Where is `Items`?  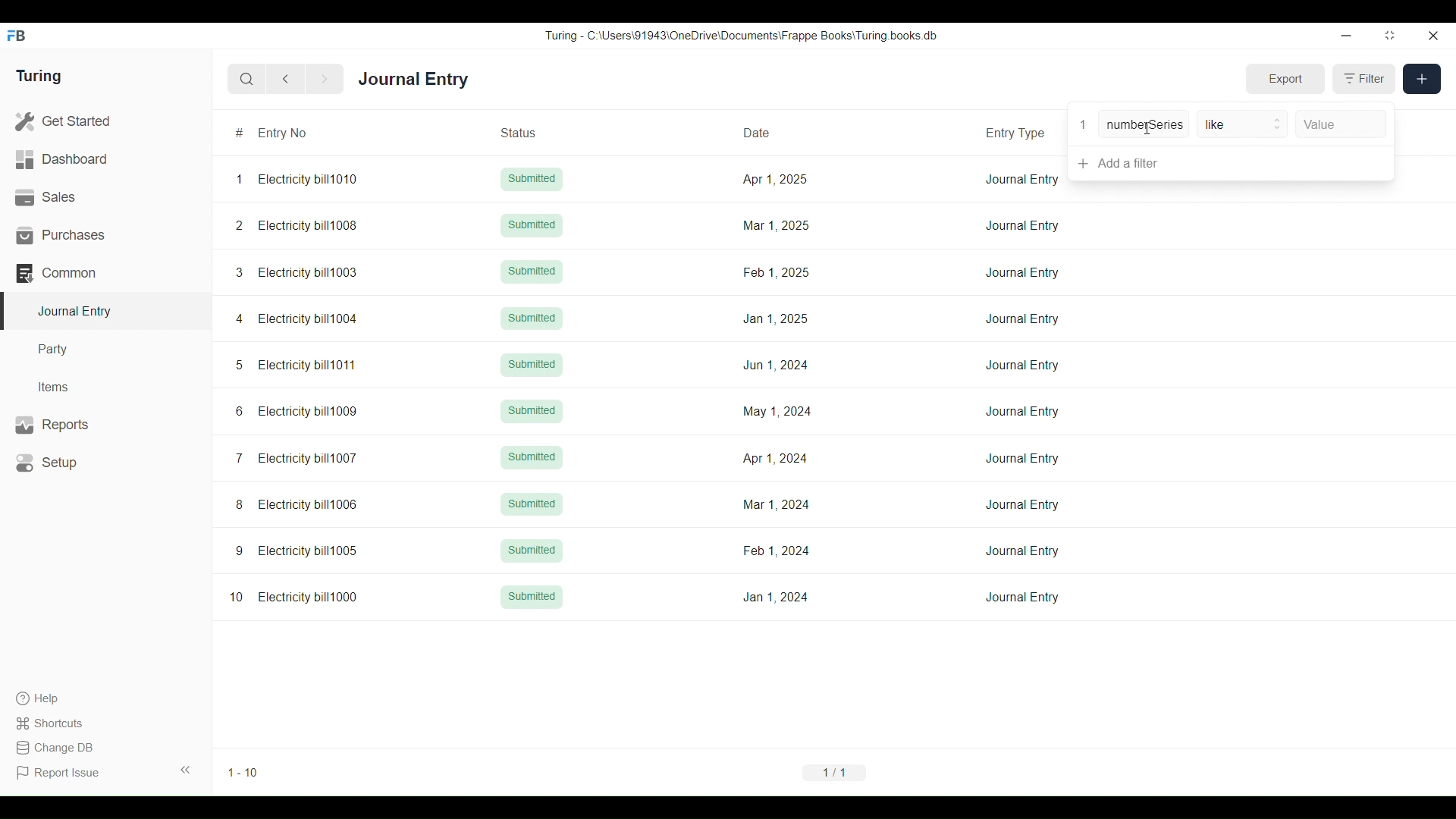 Items is located at coordinates (106, 388).